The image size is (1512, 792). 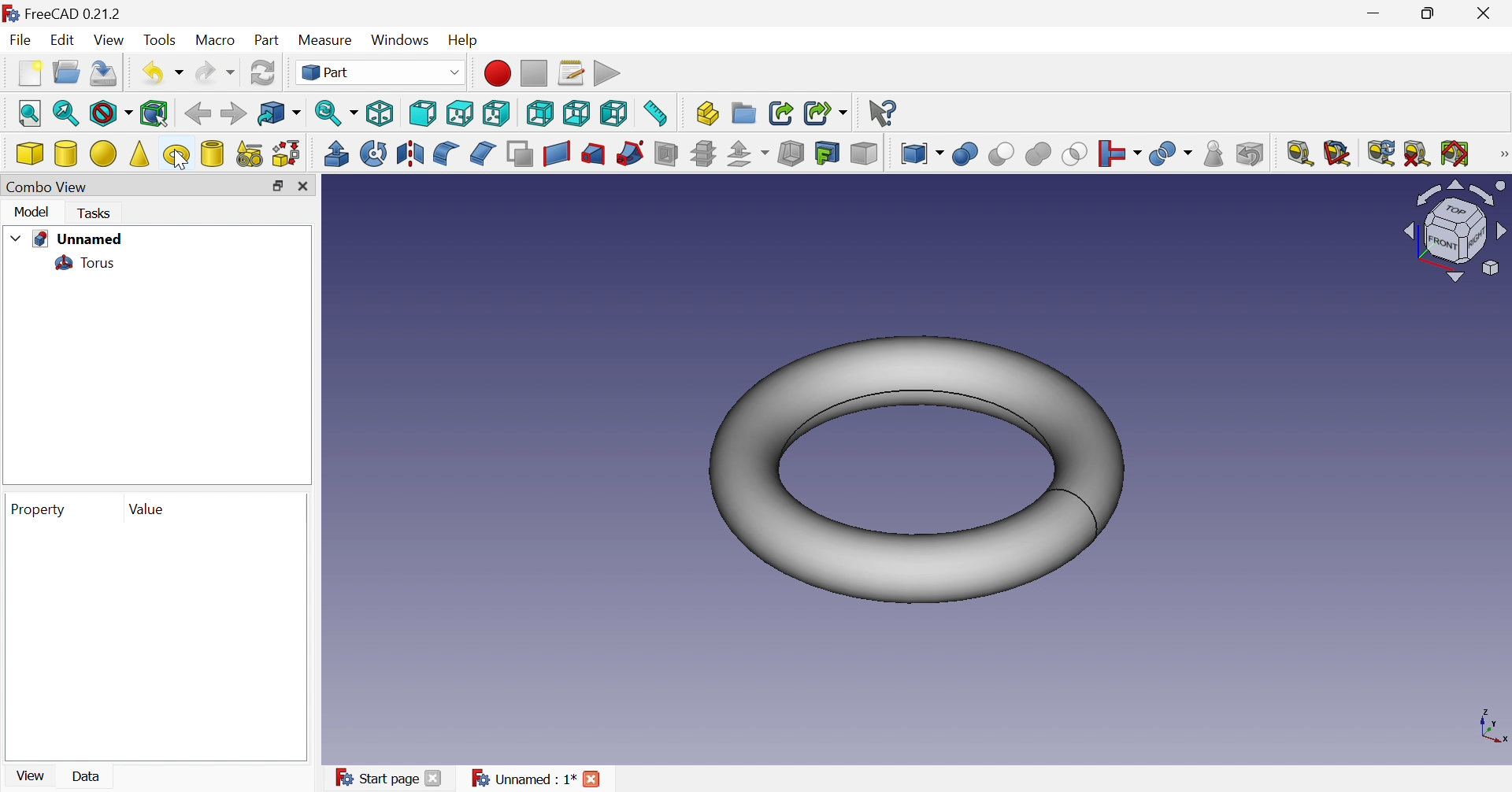 I want to click on Property, so click(x=40, y=510).